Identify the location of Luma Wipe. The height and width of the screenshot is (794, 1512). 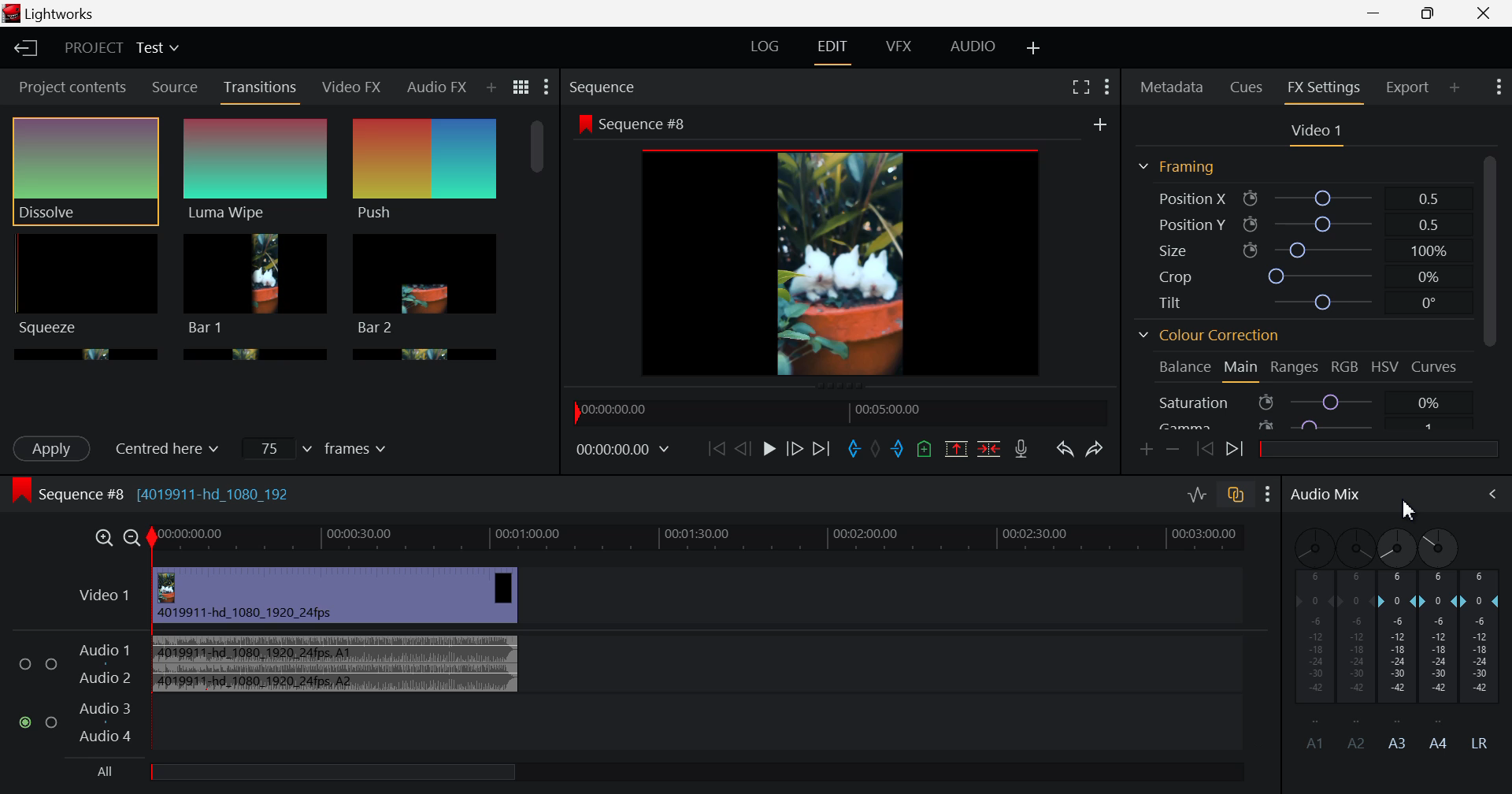
(256, 171).